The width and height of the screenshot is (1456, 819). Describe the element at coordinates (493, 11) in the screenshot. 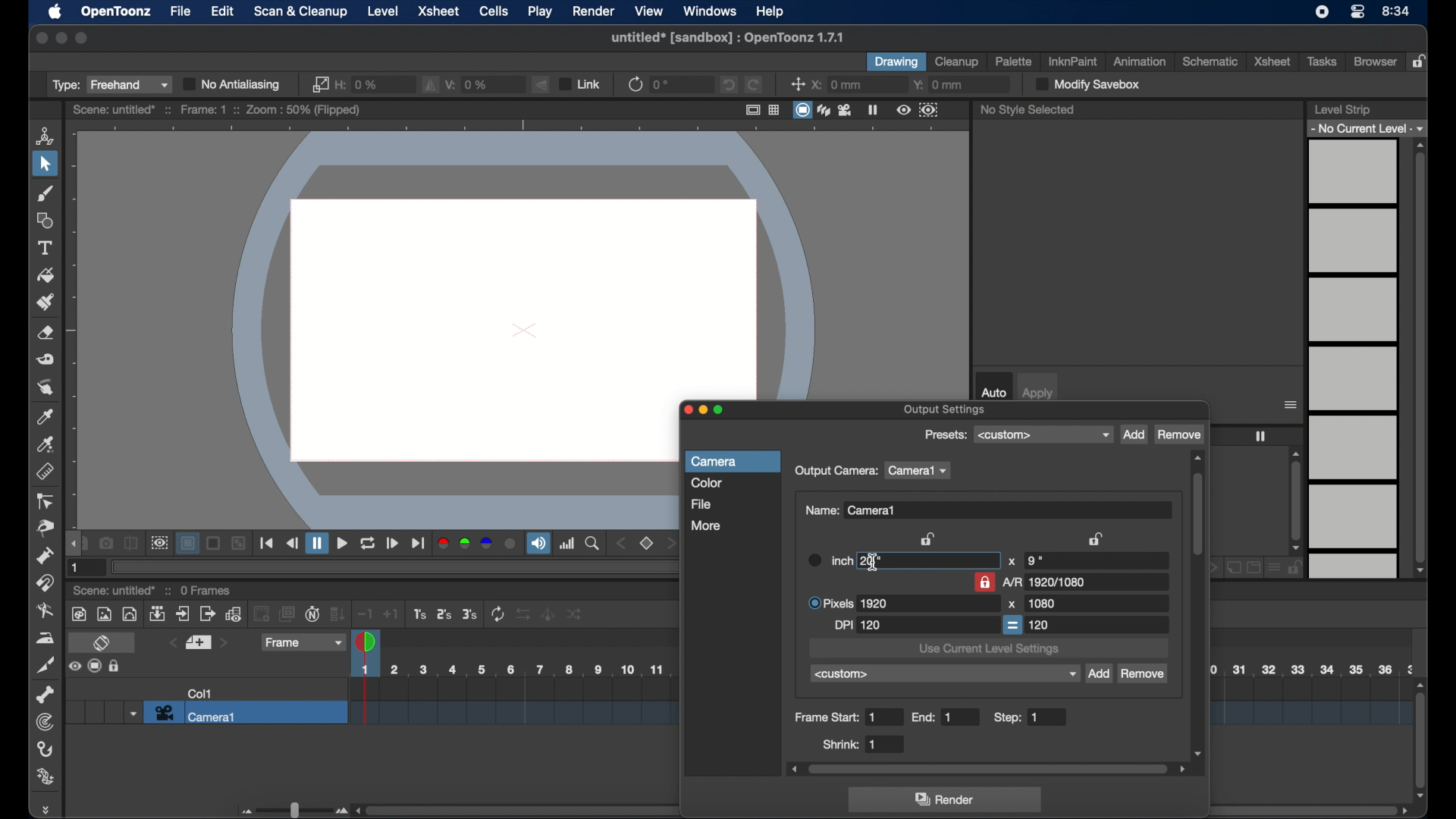

I see `cells` at that location.